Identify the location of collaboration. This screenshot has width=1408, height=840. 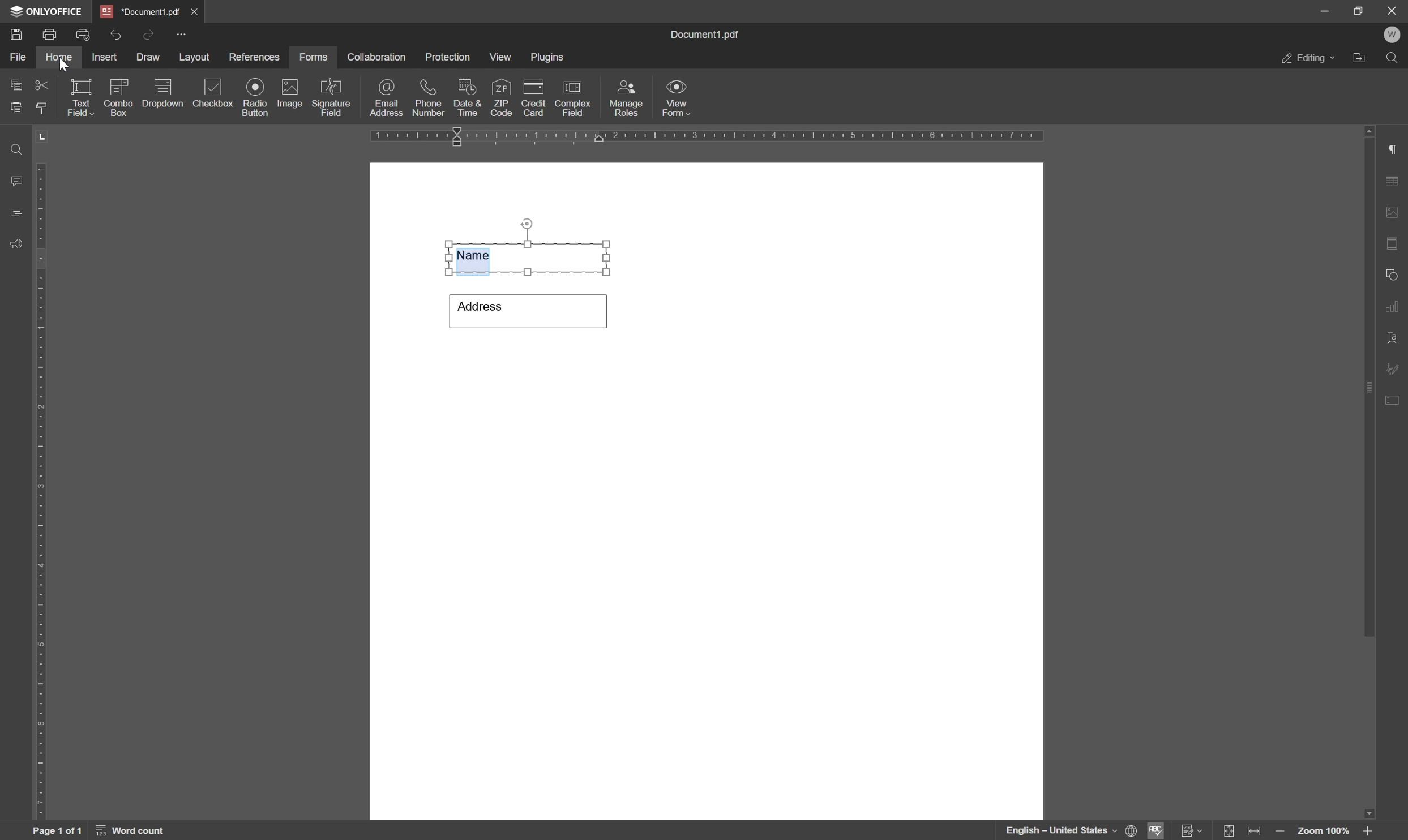
(378, 58).